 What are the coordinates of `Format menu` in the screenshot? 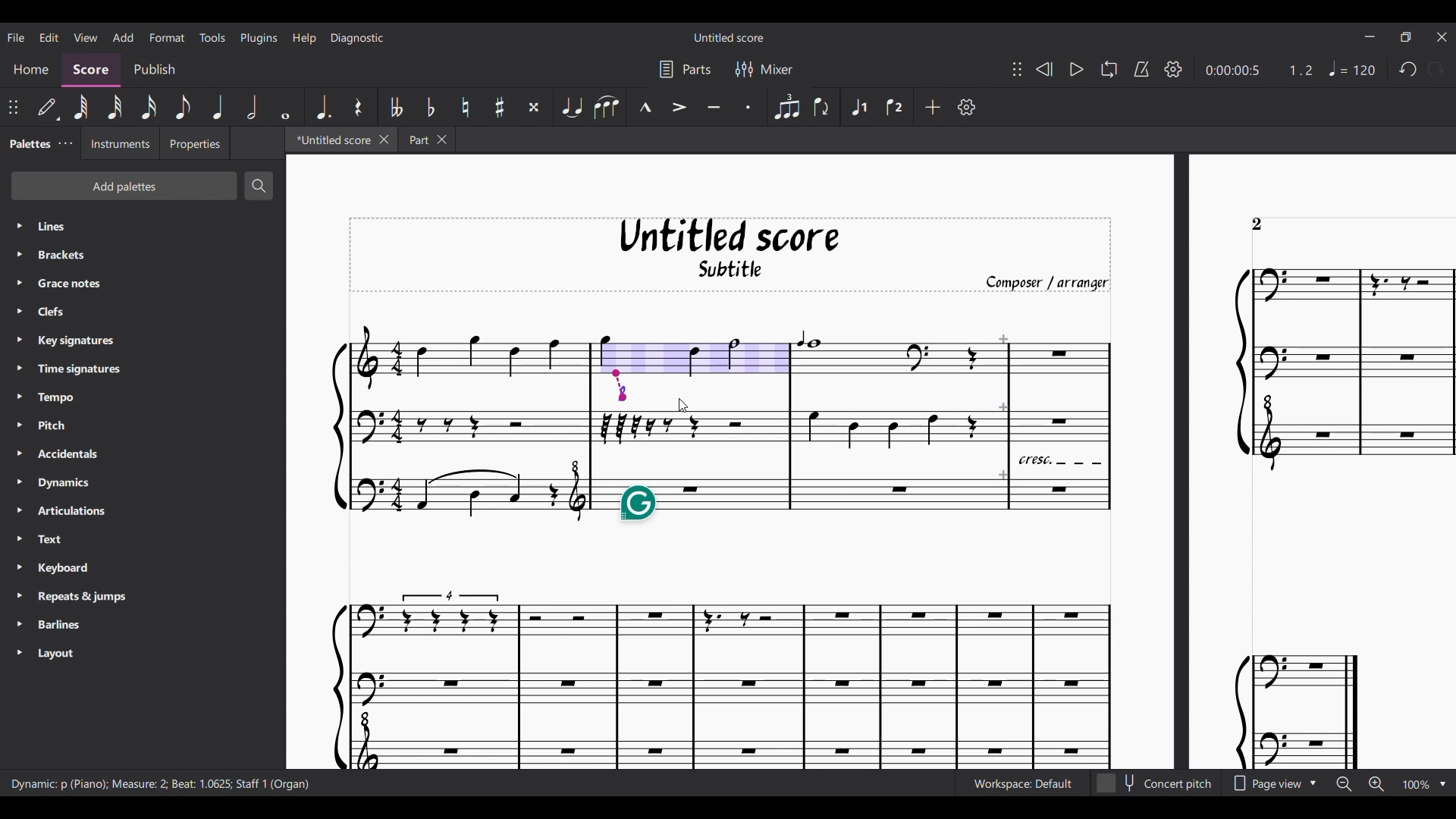 It's located at (167, 37).